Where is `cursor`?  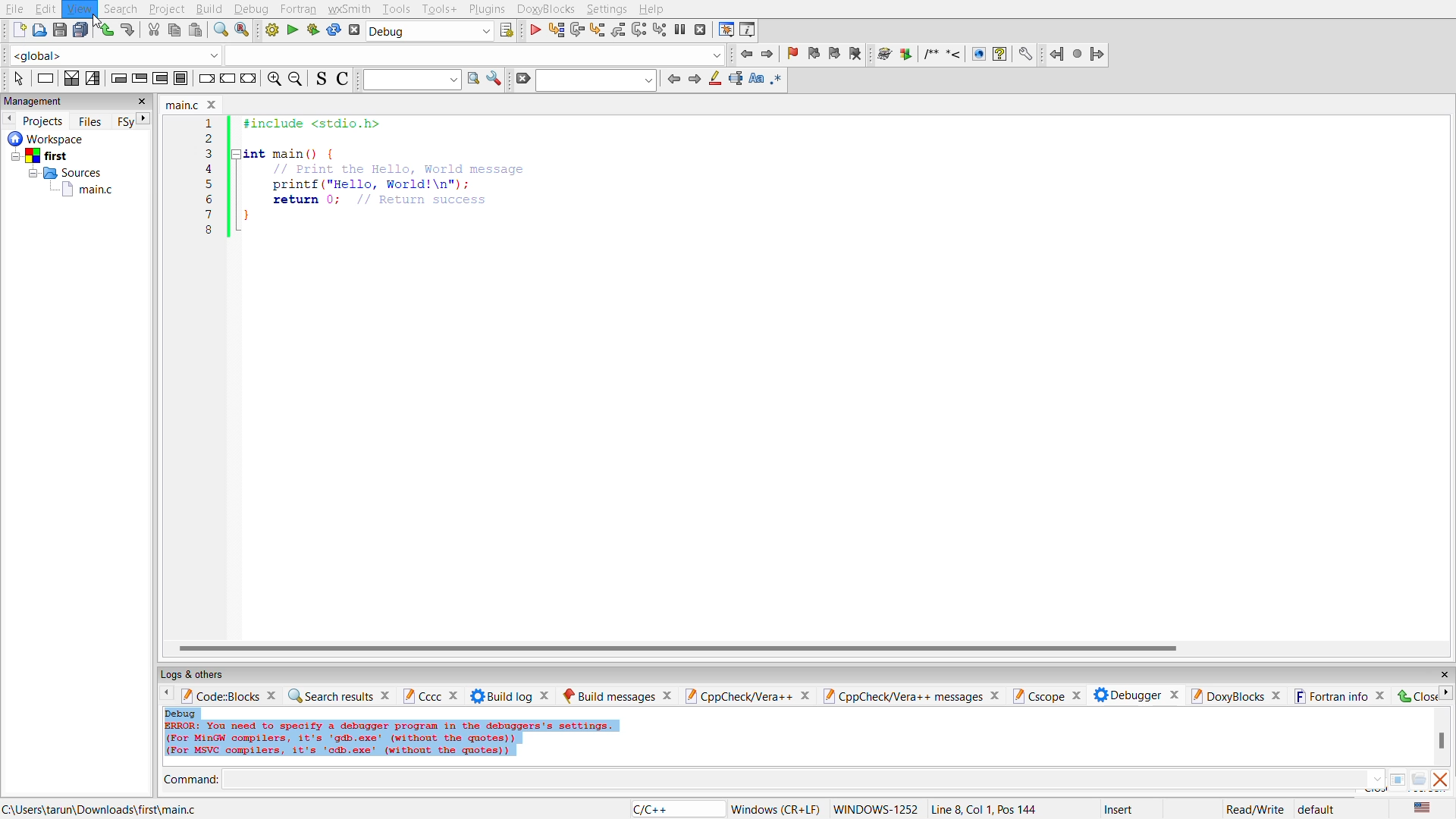 cursor is located at coordinates (94, 19).